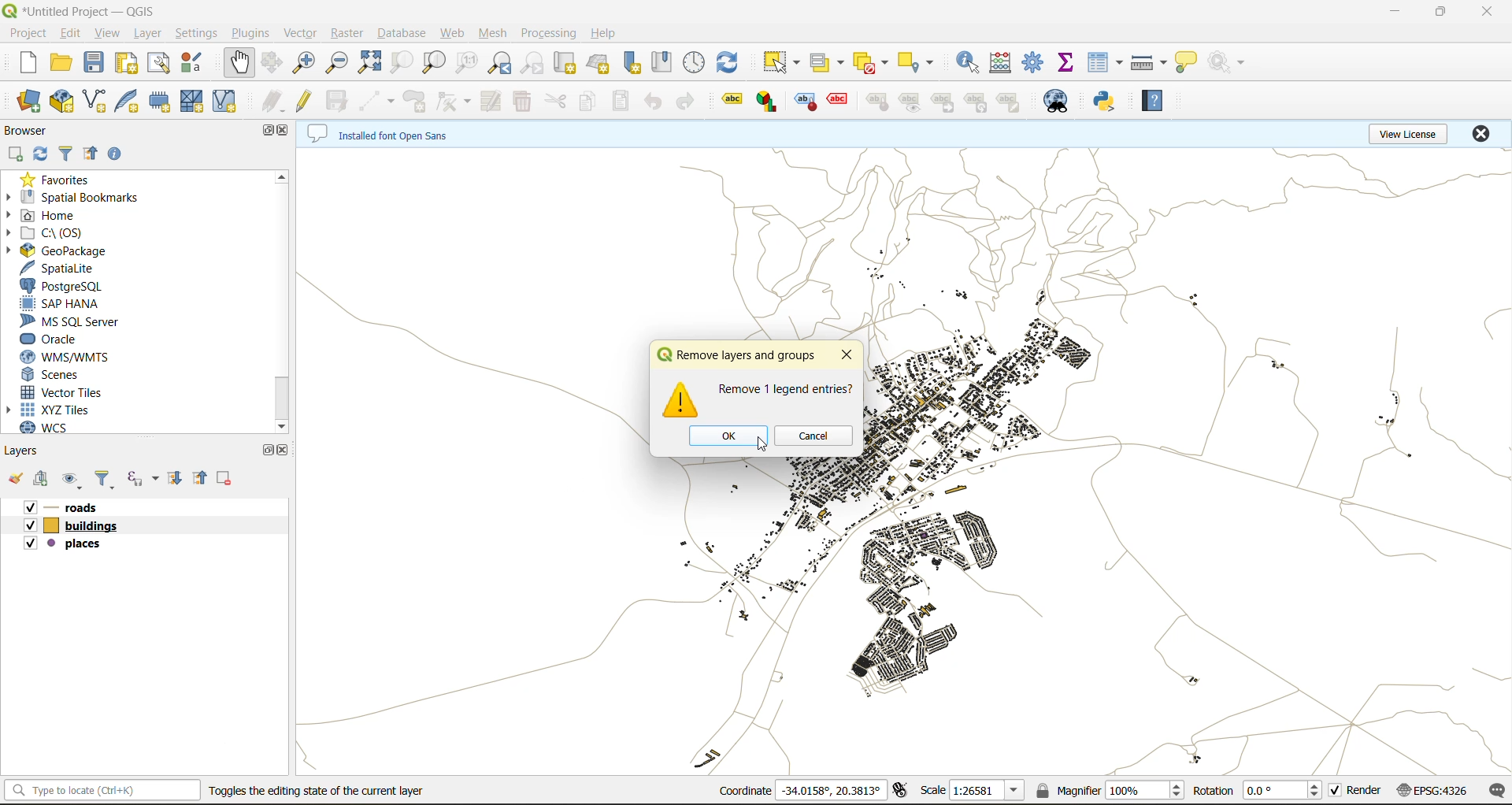 The height and width of the screenshot is (805, 1512). What do you see at coordinates (156, 98) in the screenshot?
I see `temporary scratch file` at bounding box center [156, 98].